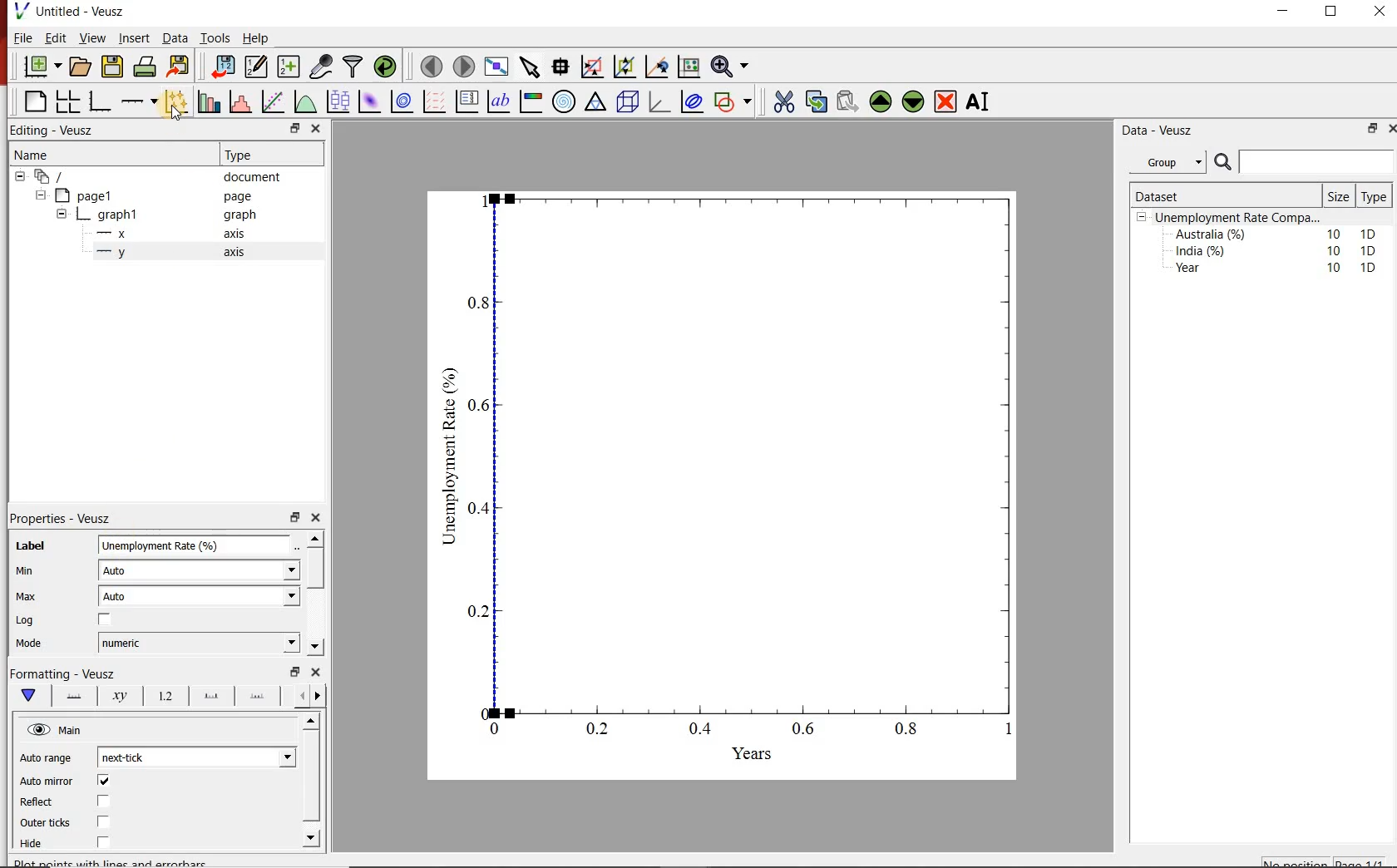  Describe the element at coordinates (106, 619) in the screenshot. I see `checkbox` at that location.